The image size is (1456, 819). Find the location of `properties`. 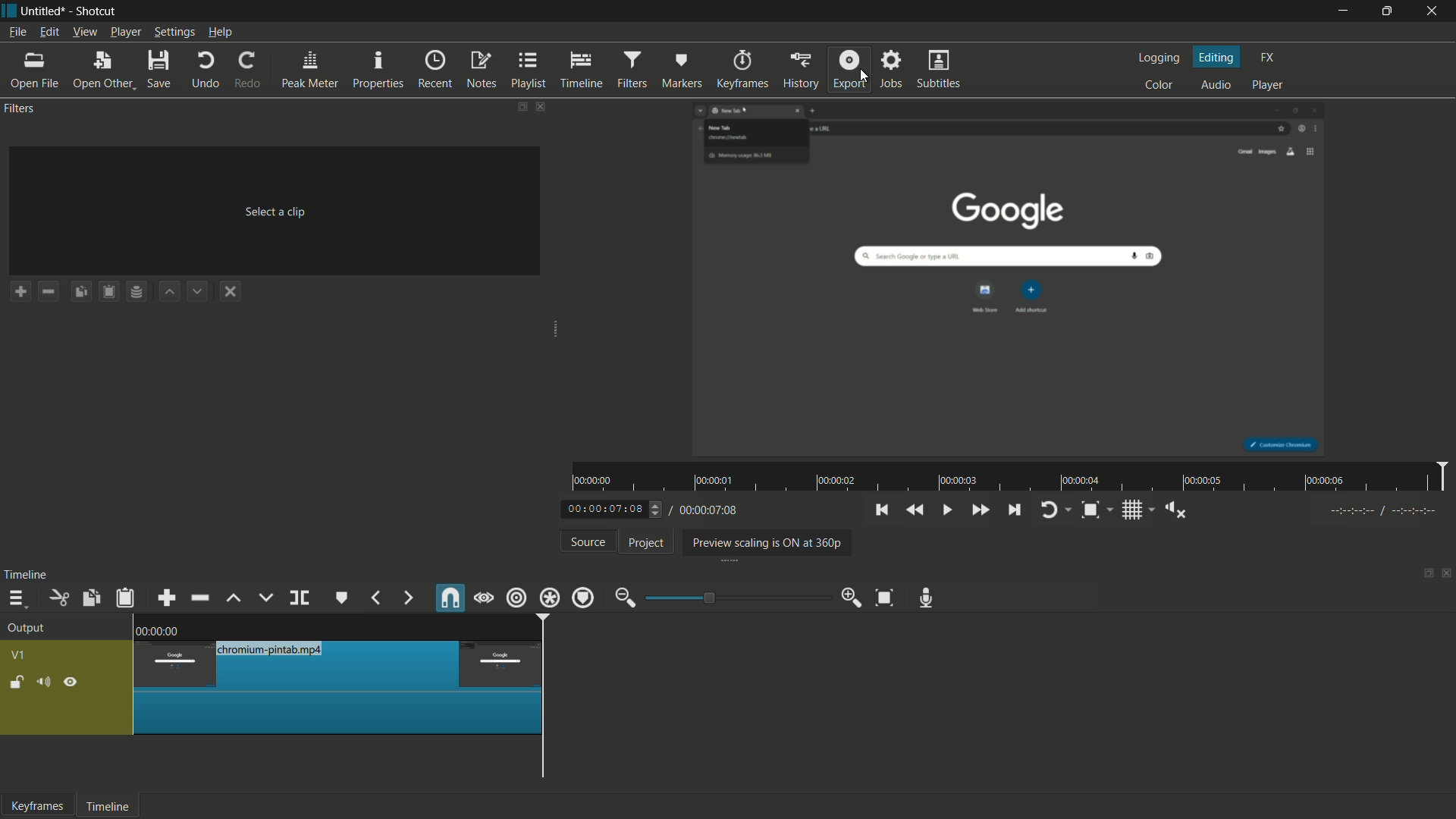

properties is located at coordinates (377, 70).